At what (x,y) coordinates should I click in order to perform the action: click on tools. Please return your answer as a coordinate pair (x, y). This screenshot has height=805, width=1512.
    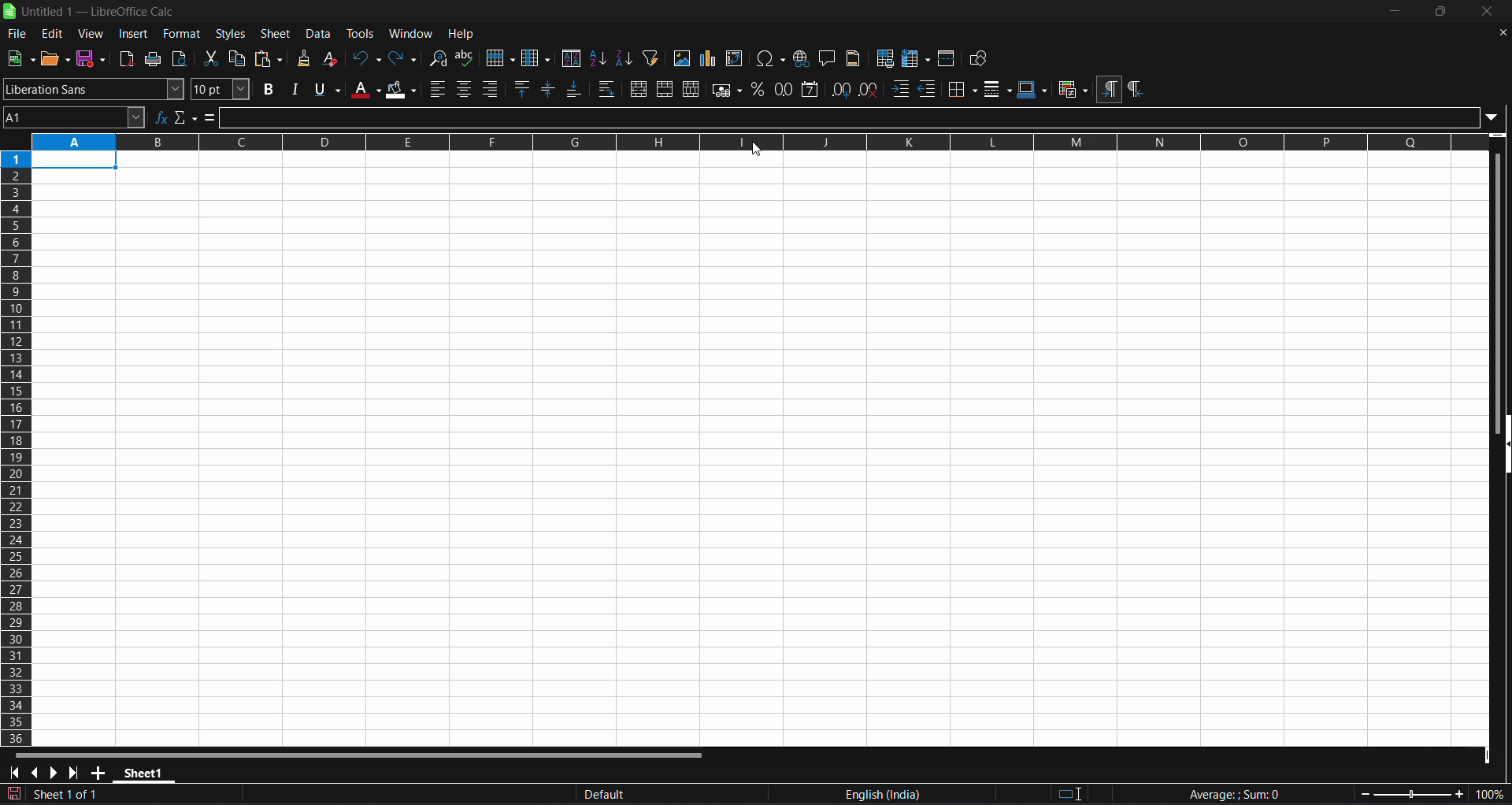
    Looking at the image, I should click on (361, 32).